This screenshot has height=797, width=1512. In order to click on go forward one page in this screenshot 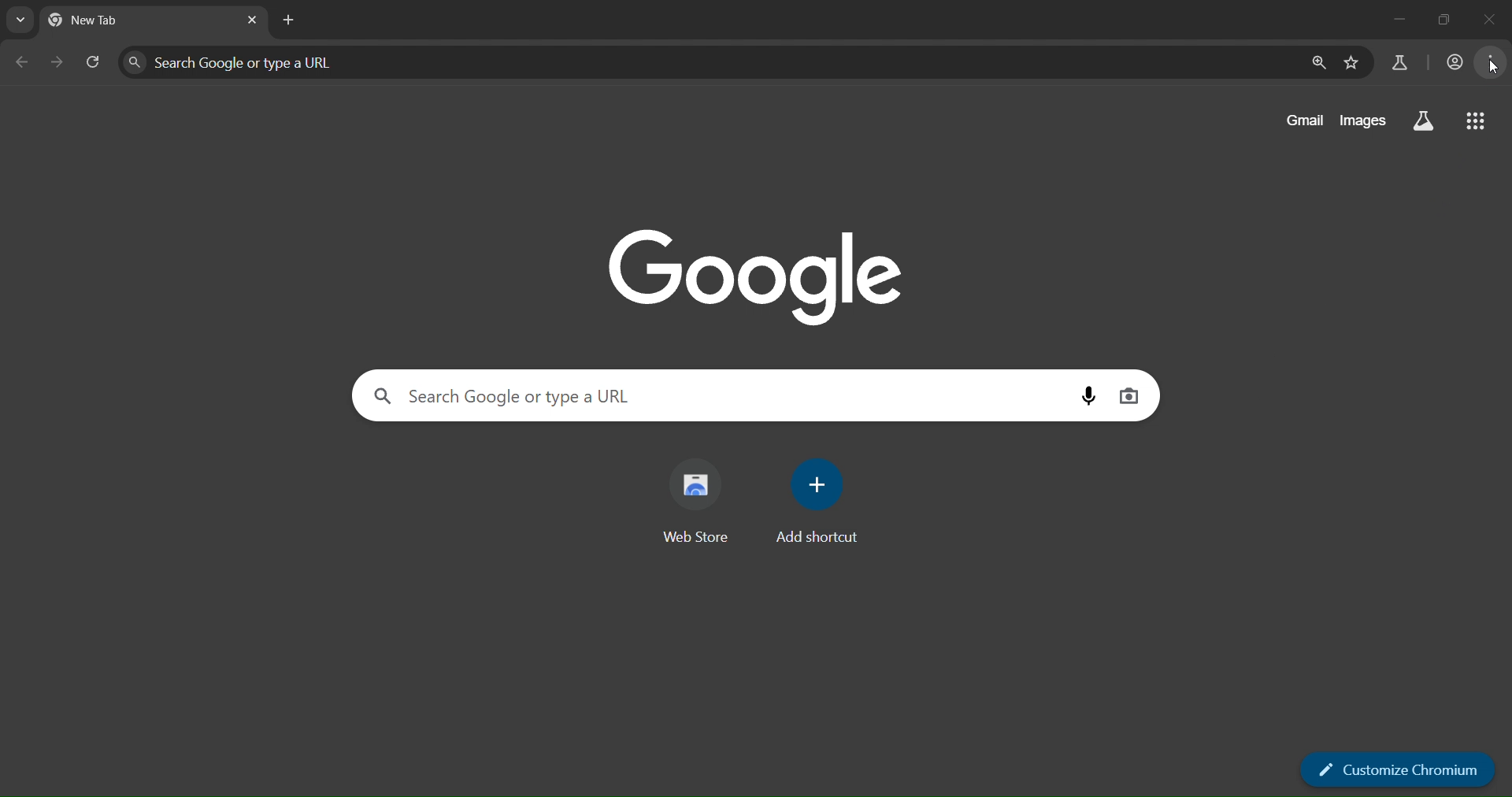, I will do `click(60, 63)`.